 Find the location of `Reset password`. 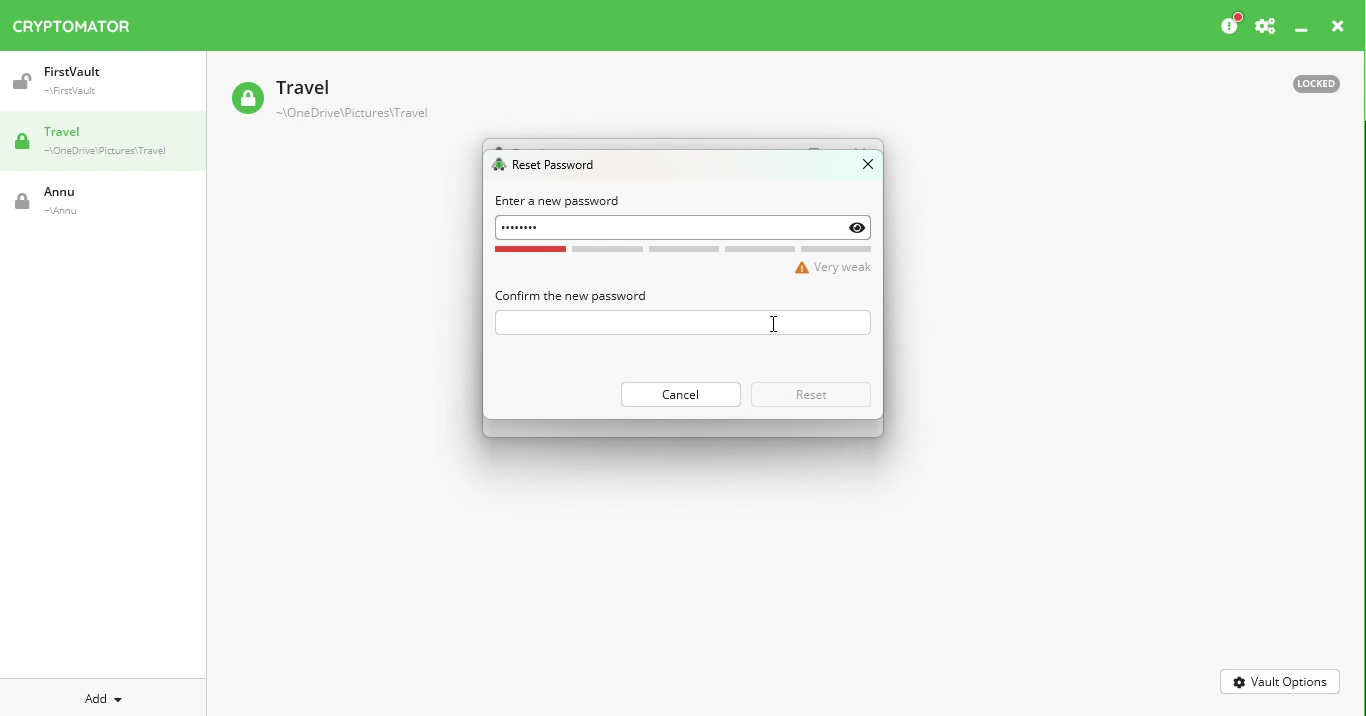

Reset password is located at coordinates (549, 166).